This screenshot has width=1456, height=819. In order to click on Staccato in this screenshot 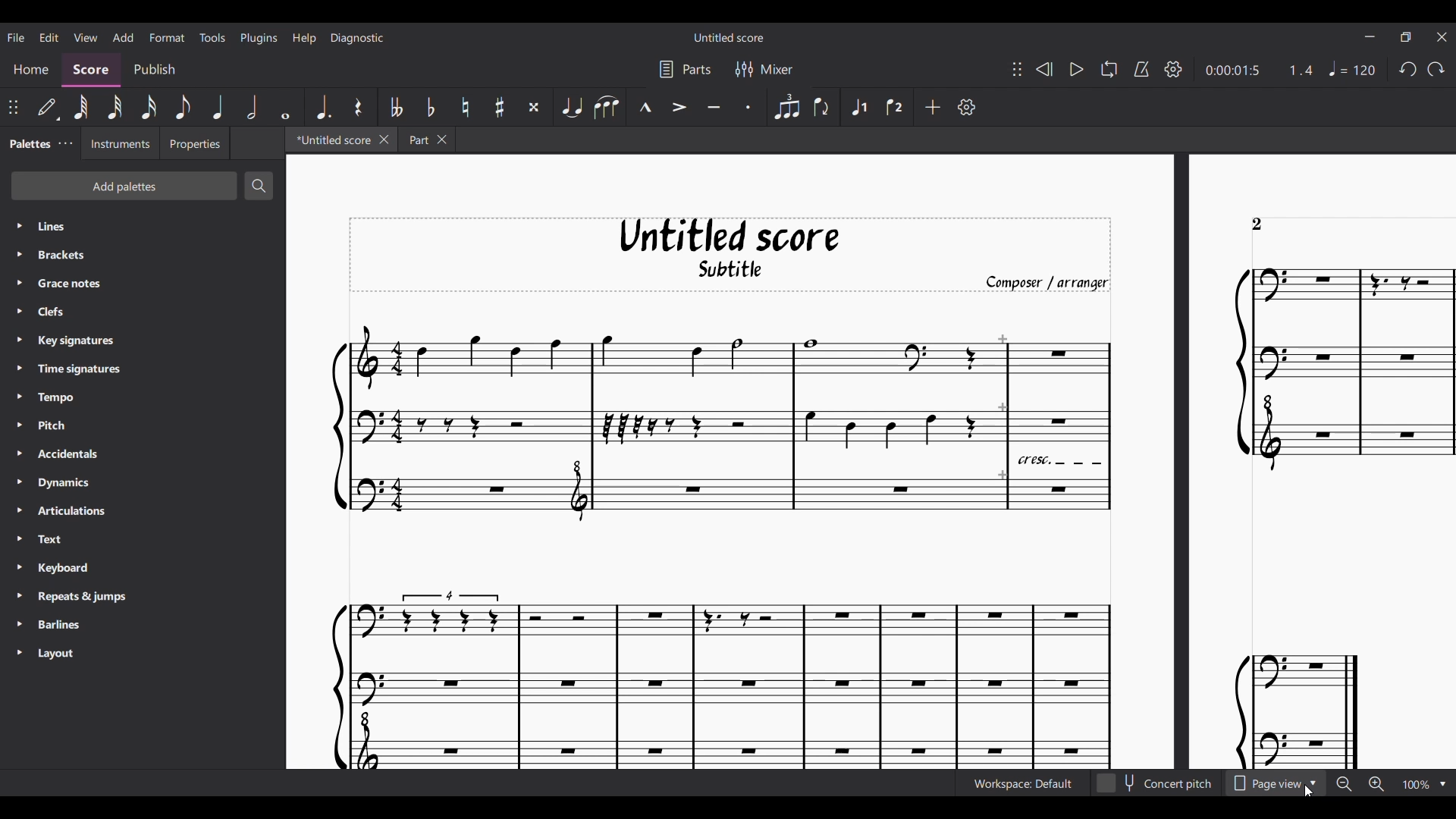, I will do `click(751, 107)`.